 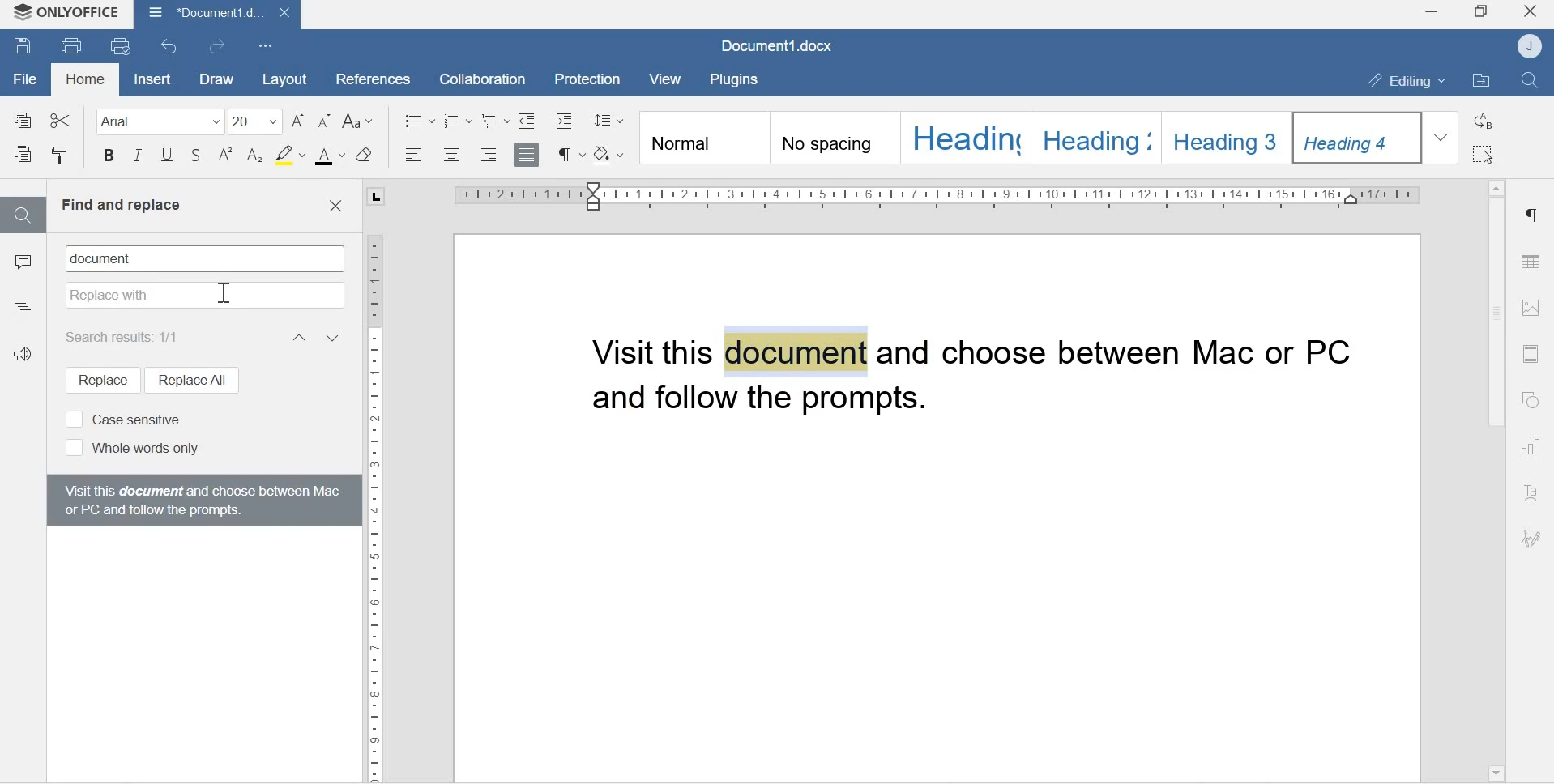 What do you see at coordinates (107, 258) in the screenshot?
I see `document` at bounding box center [107, 258].